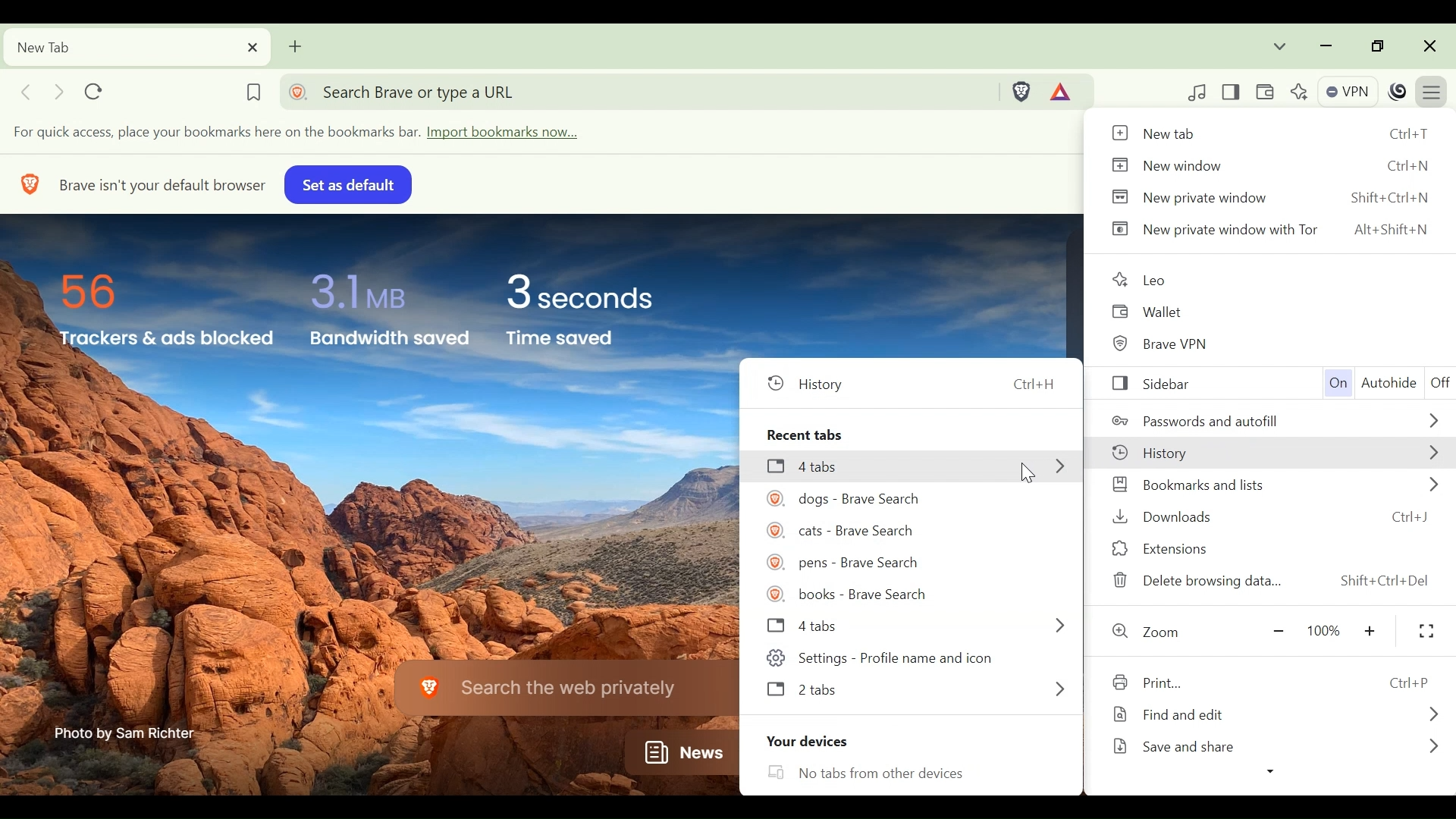 This screenshot has width=1456, height=819. What do you see at coordinates (1435, 89) in the screenshot?
I see `Customize and control Brave` at bounding box center [1435, 89].